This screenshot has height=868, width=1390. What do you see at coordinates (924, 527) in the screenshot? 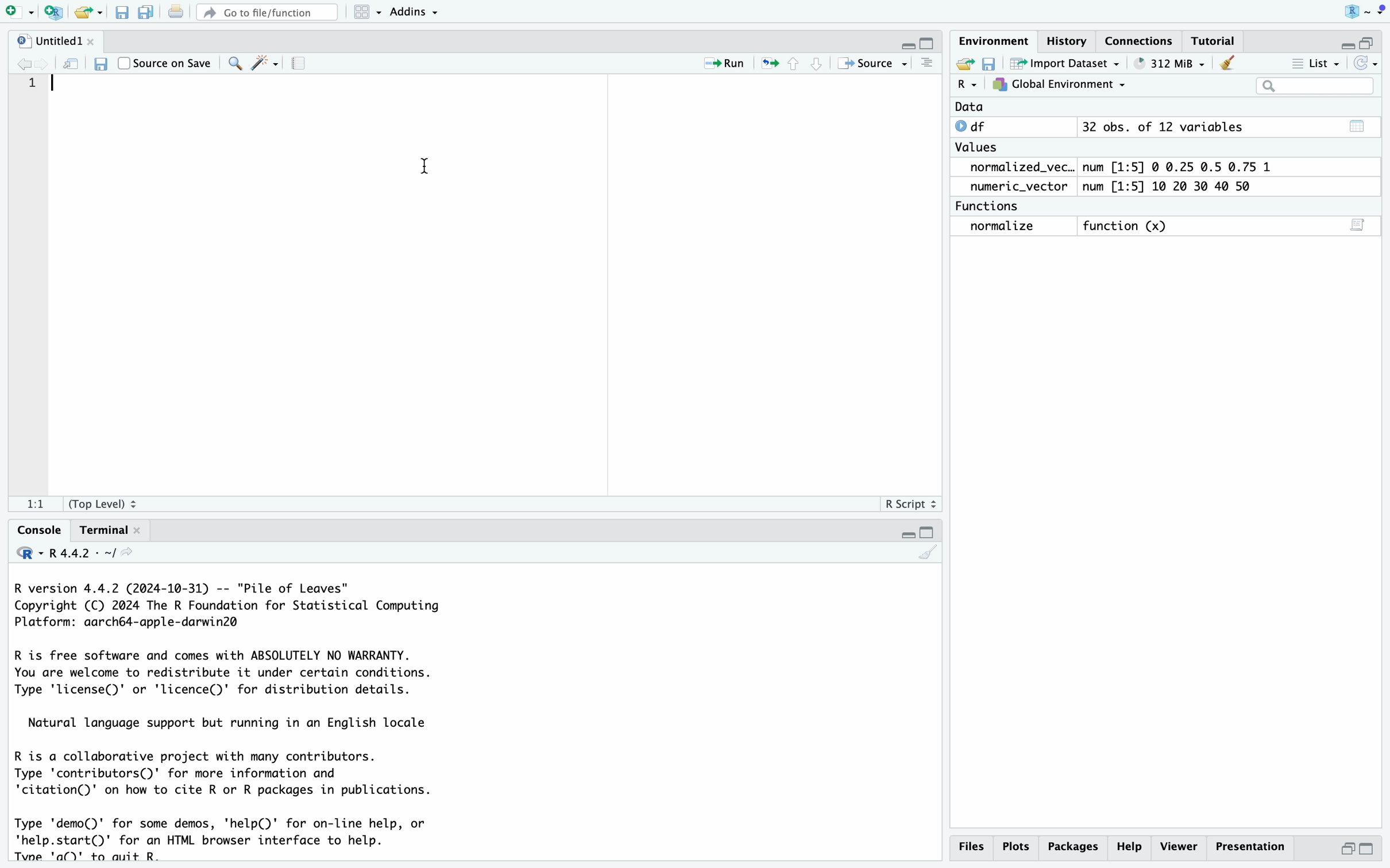
I see `minimize/maximize` at bounding box center [924, 527].